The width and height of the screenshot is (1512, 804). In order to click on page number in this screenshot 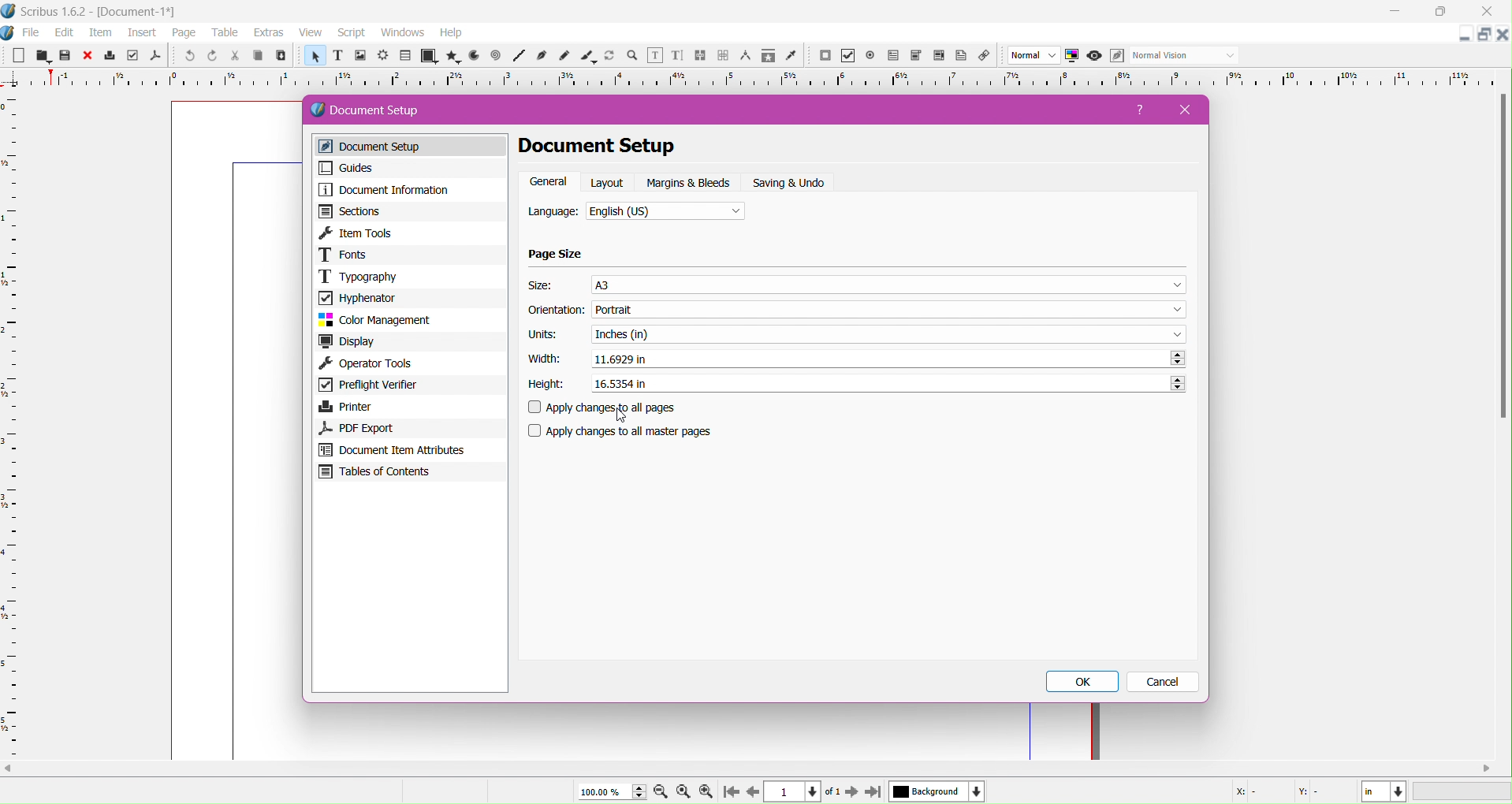, I will do `click(795, 792)`.